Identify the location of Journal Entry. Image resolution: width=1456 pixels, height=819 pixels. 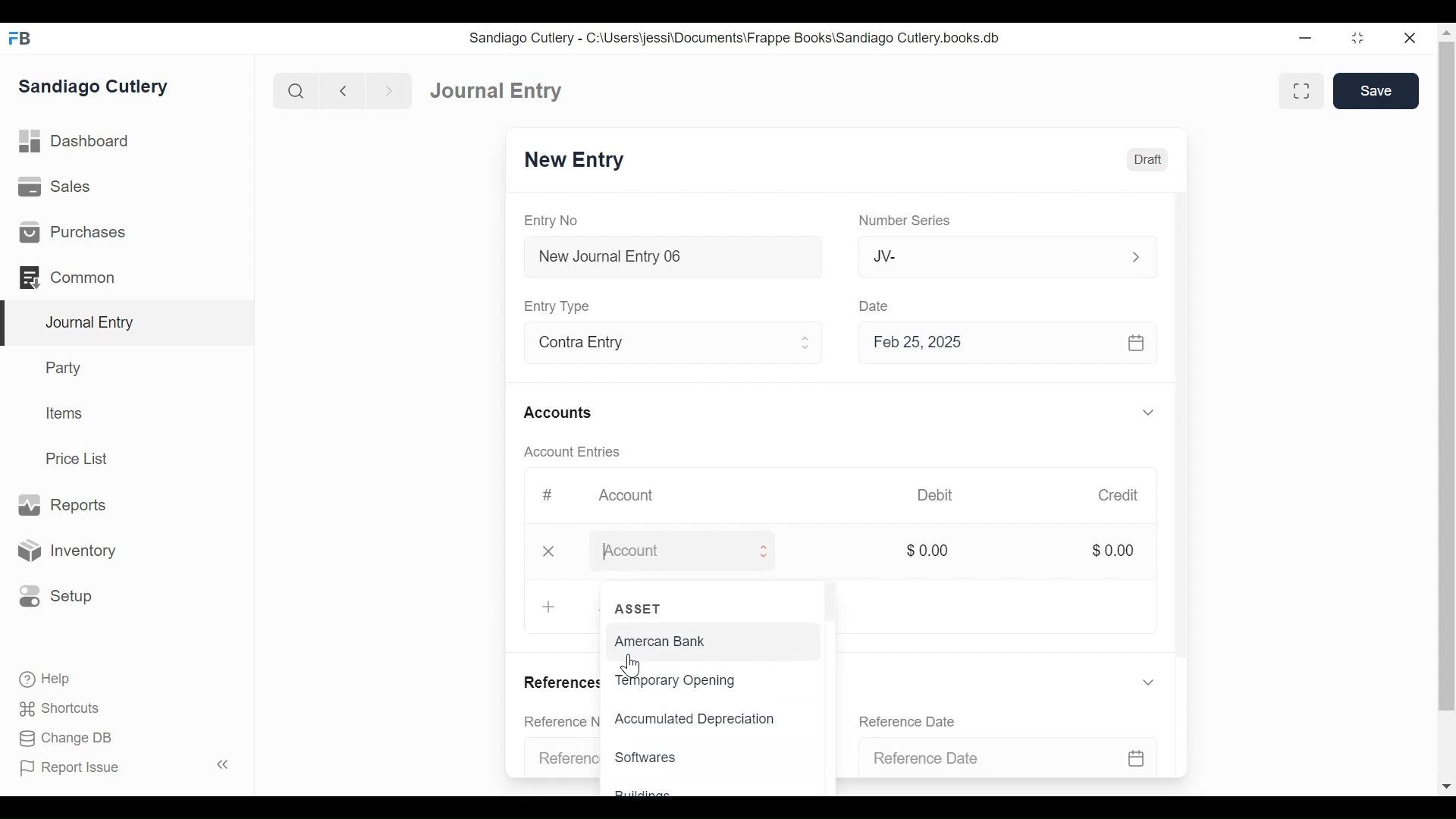
(128, 324).